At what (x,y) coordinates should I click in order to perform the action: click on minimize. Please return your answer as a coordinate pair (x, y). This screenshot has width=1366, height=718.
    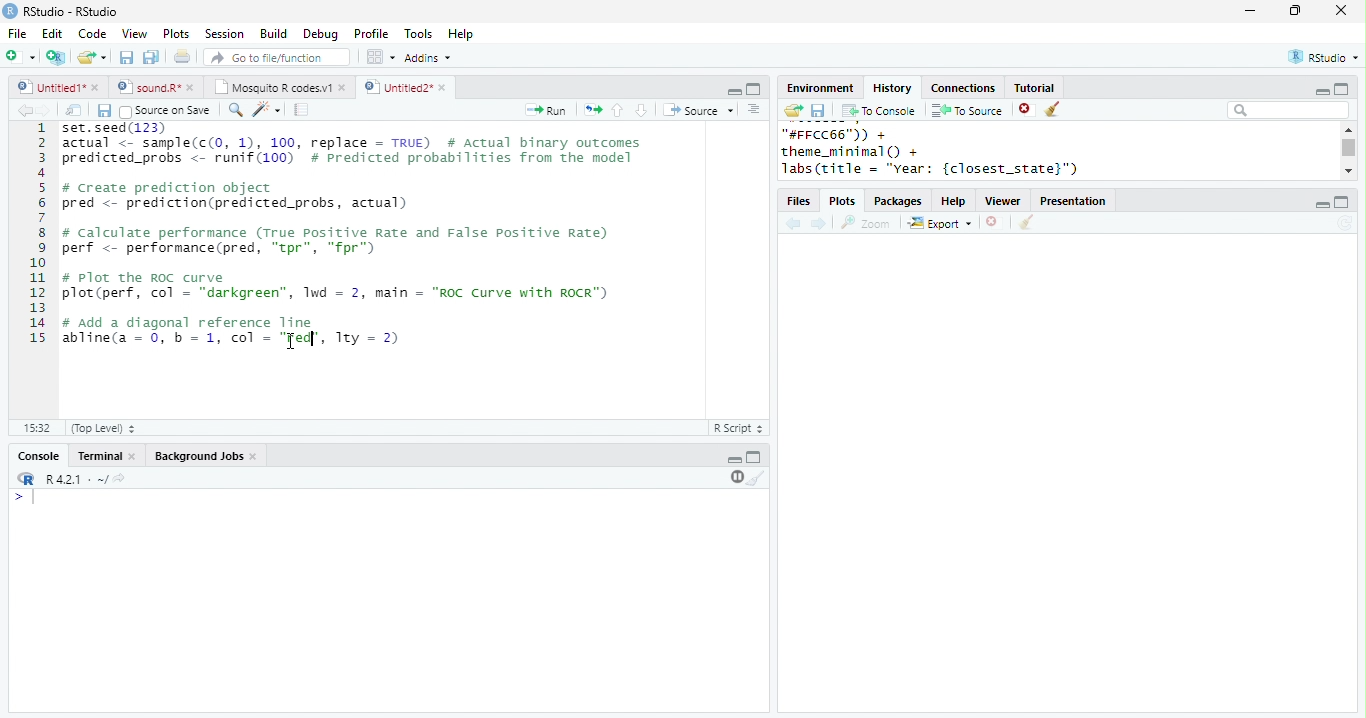
    Looking at the image, I should click on (1321, 205).